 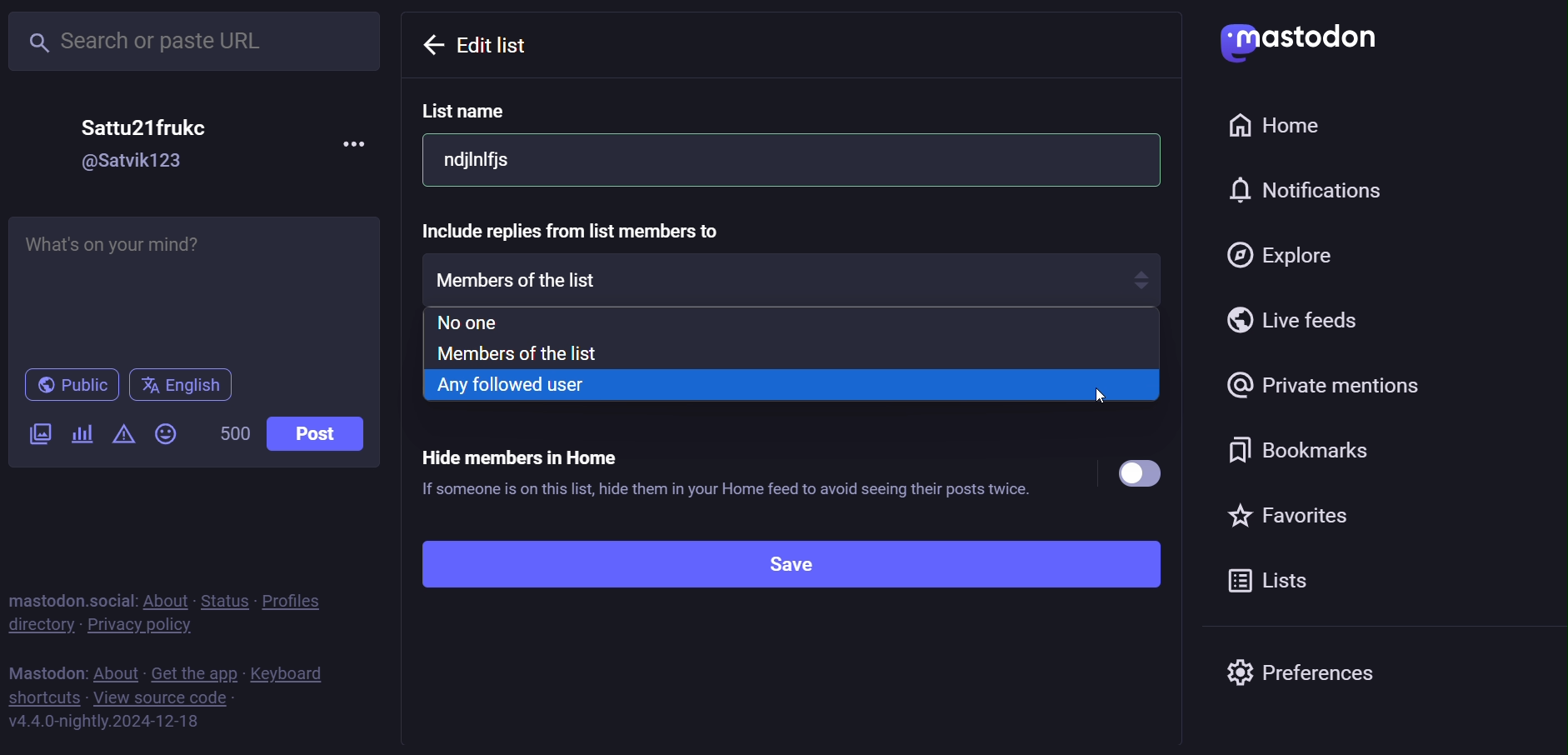 I want to click on no one, so click(x=477, y=323).